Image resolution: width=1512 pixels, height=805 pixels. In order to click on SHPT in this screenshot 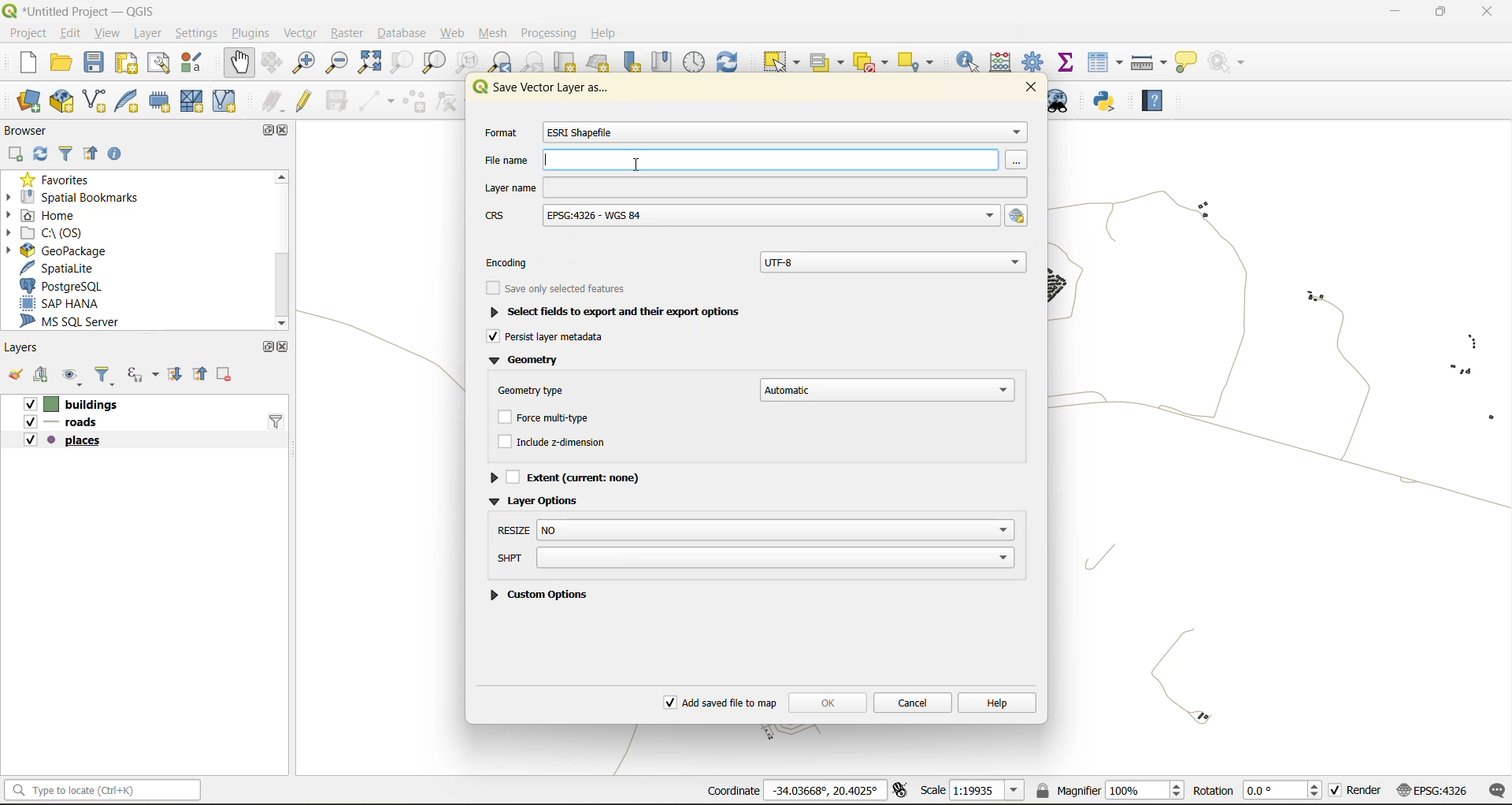, I will do `click(754, 558)`.